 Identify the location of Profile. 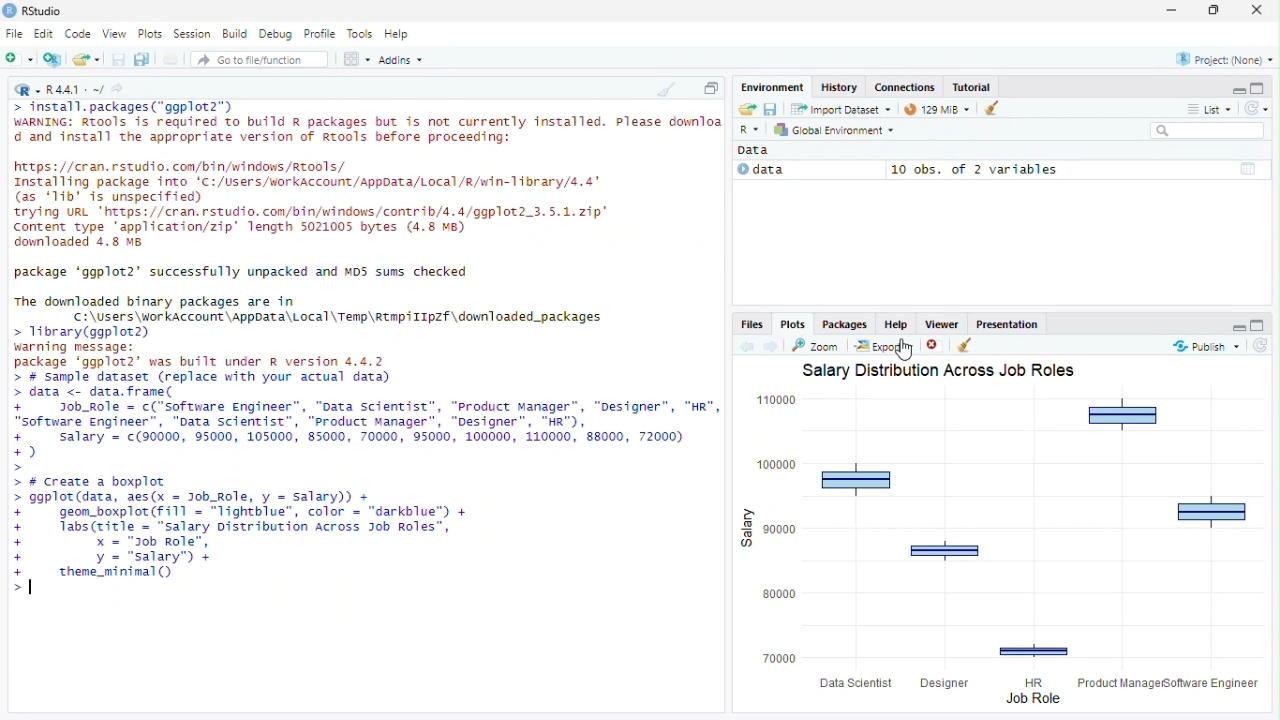
(320, 34).